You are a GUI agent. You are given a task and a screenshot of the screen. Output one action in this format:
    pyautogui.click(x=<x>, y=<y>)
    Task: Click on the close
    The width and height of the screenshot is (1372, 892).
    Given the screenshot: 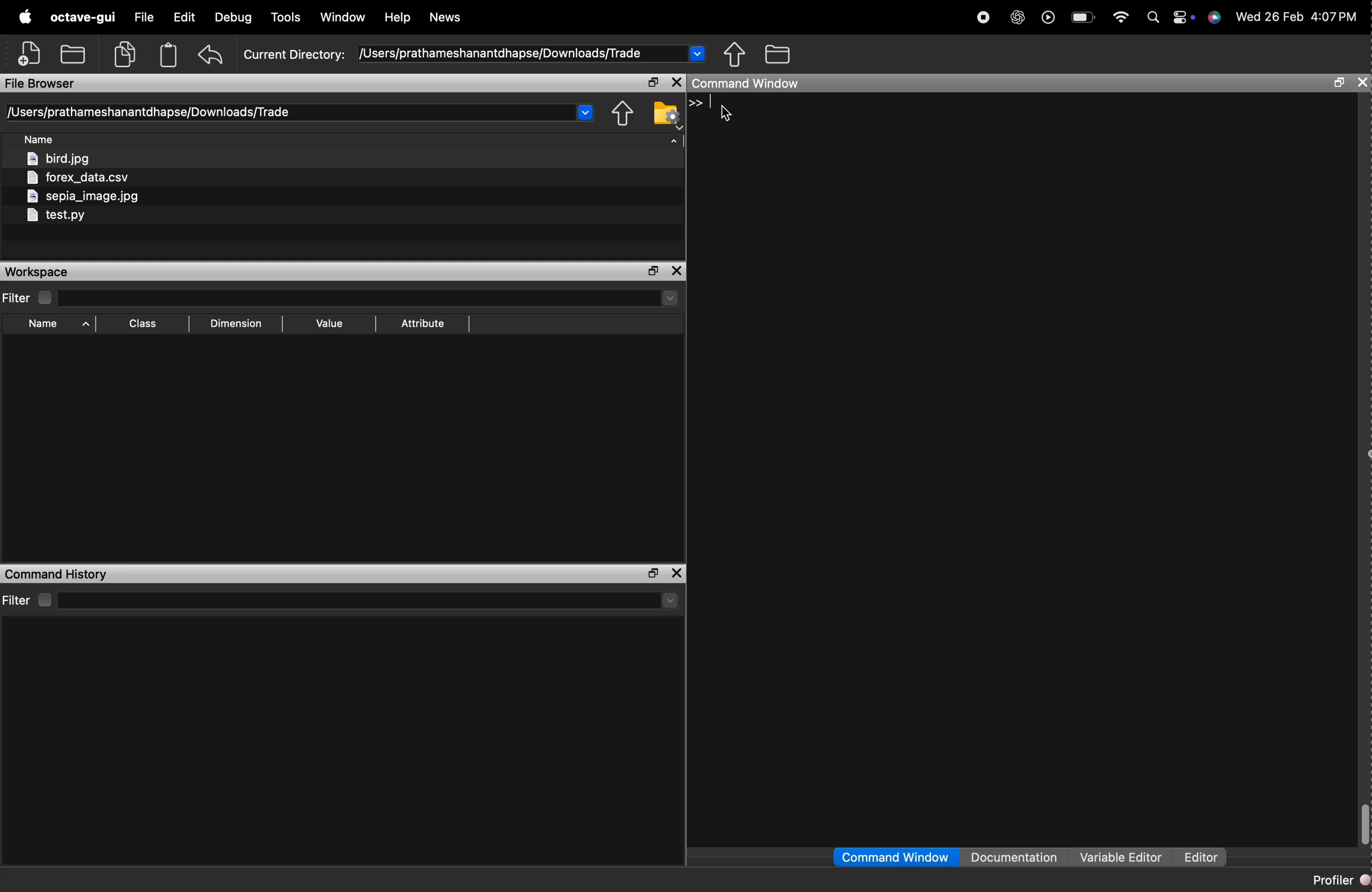 What is the action you would take?
    pyautogui.click(x=1362, y=82)
    